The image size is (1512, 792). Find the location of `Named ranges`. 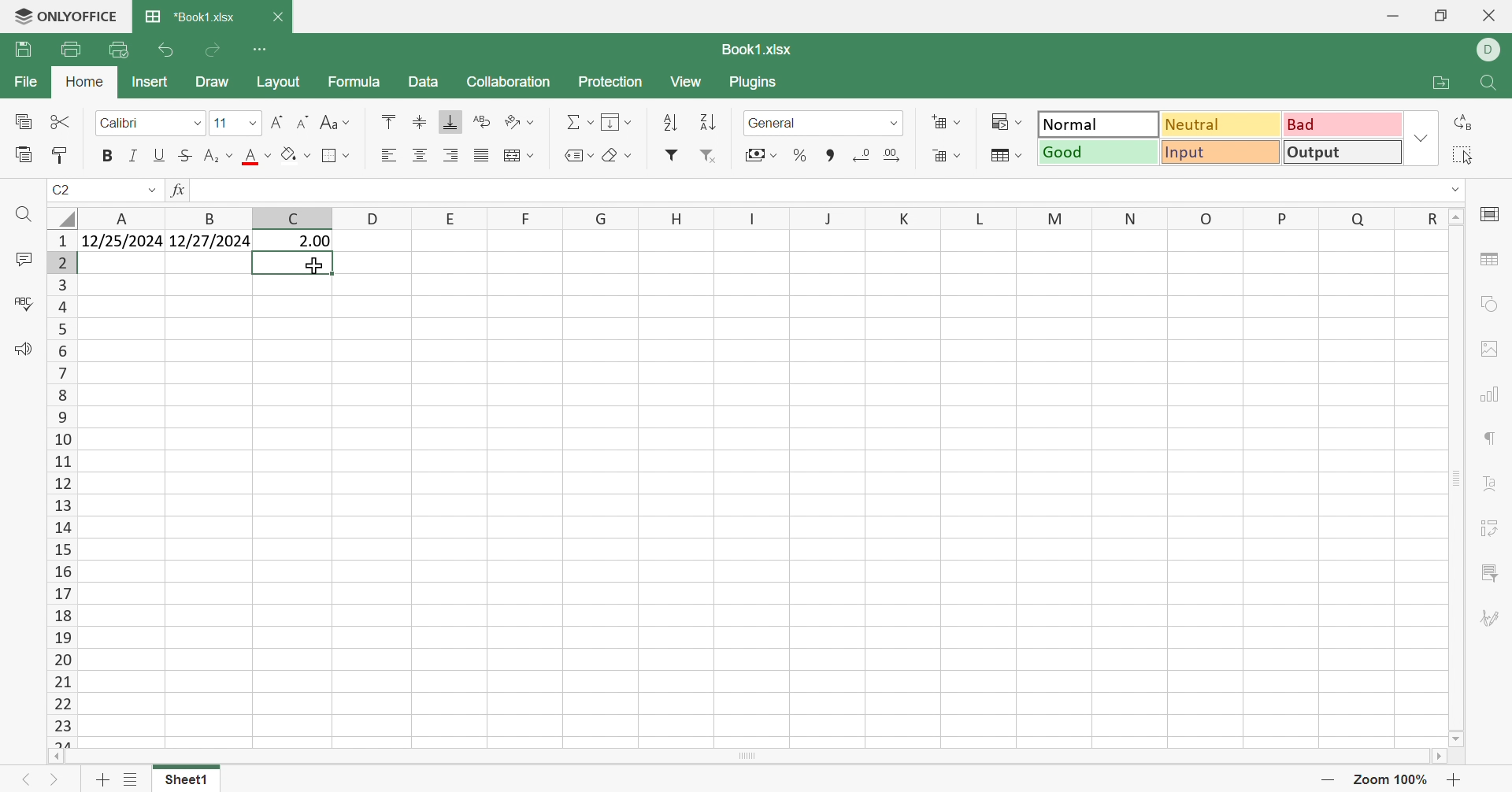

Named ranges is located at coordinates (578, 157).